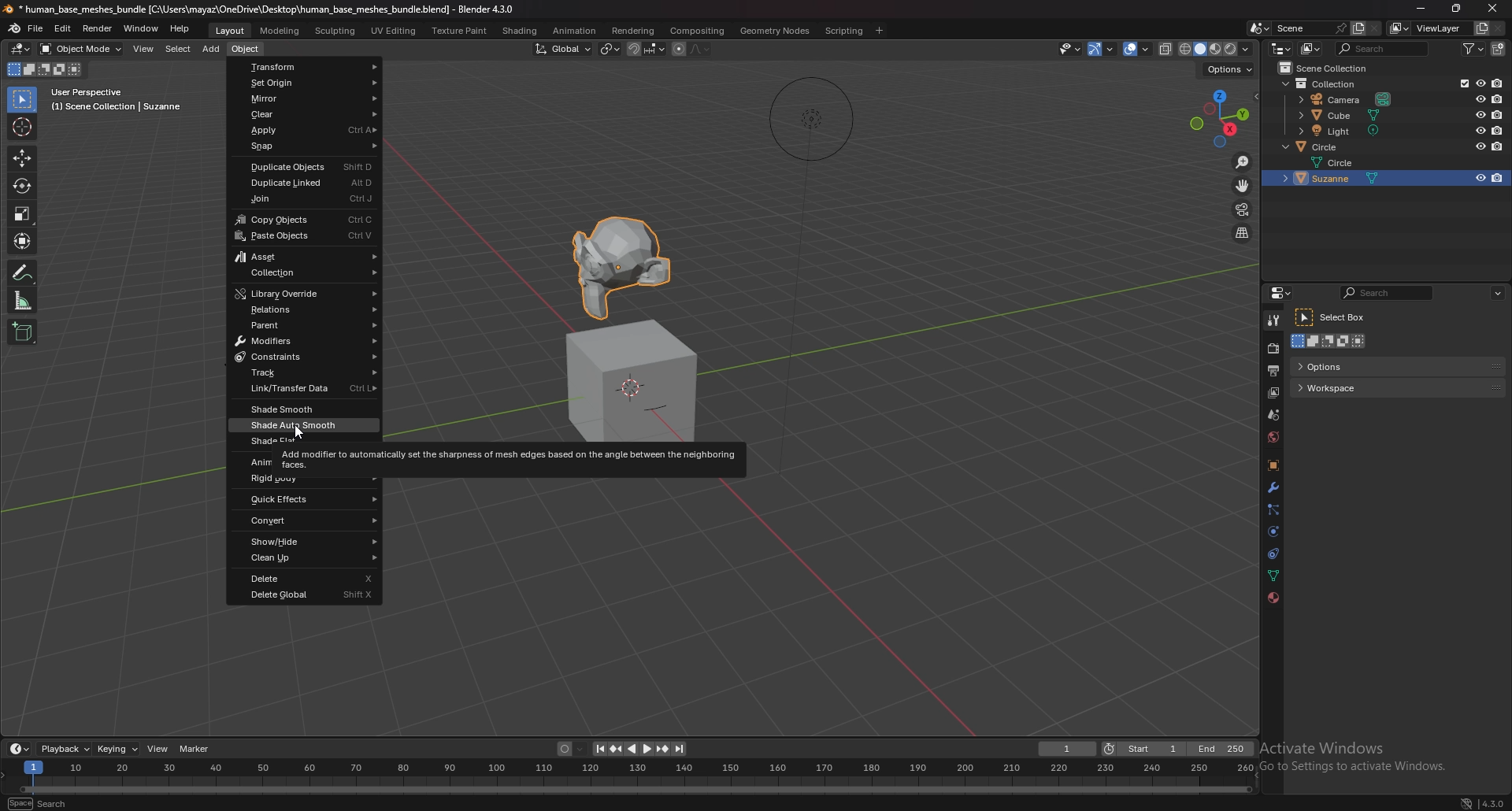 The height and width of the screenshot is (811, 1512). What do you see at coordinates (1280, 47) in the screenshot?
I see `editor type` at bounding box center [1280, 47].